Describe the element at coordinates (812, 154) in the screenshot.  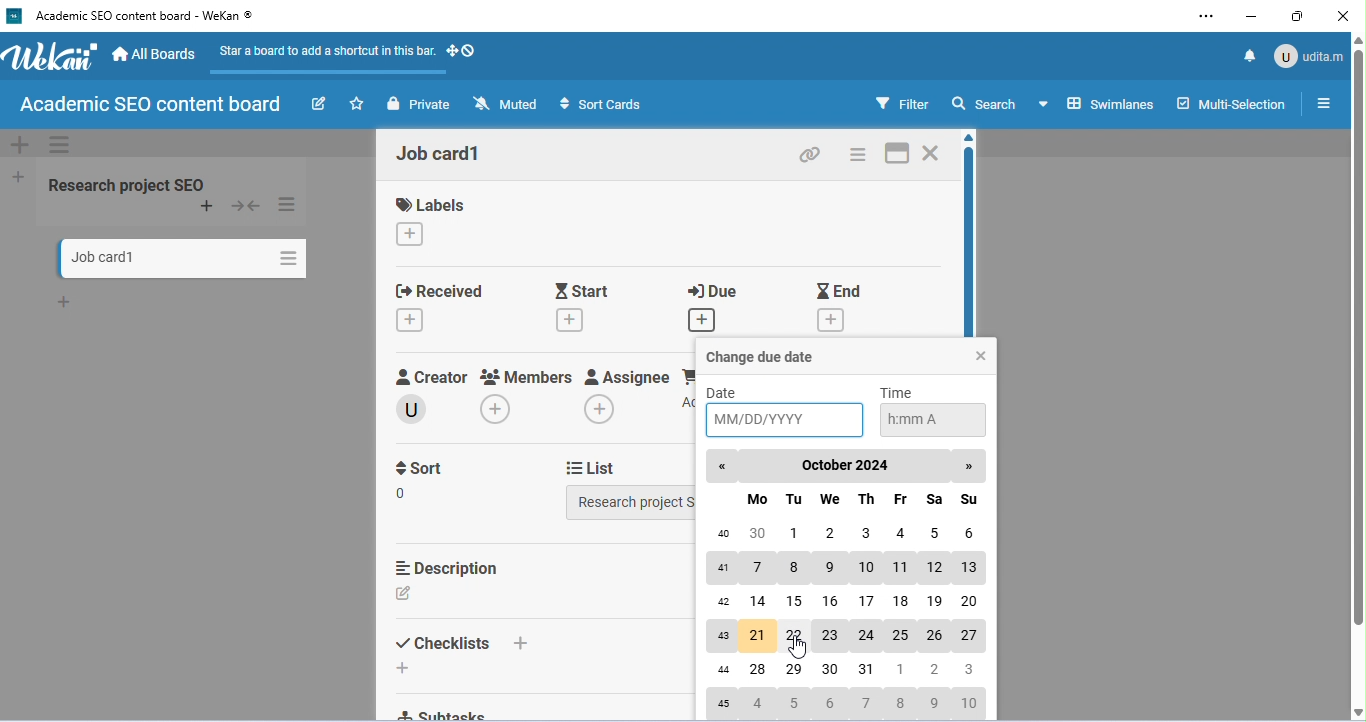
I see `copy card link` at that location.